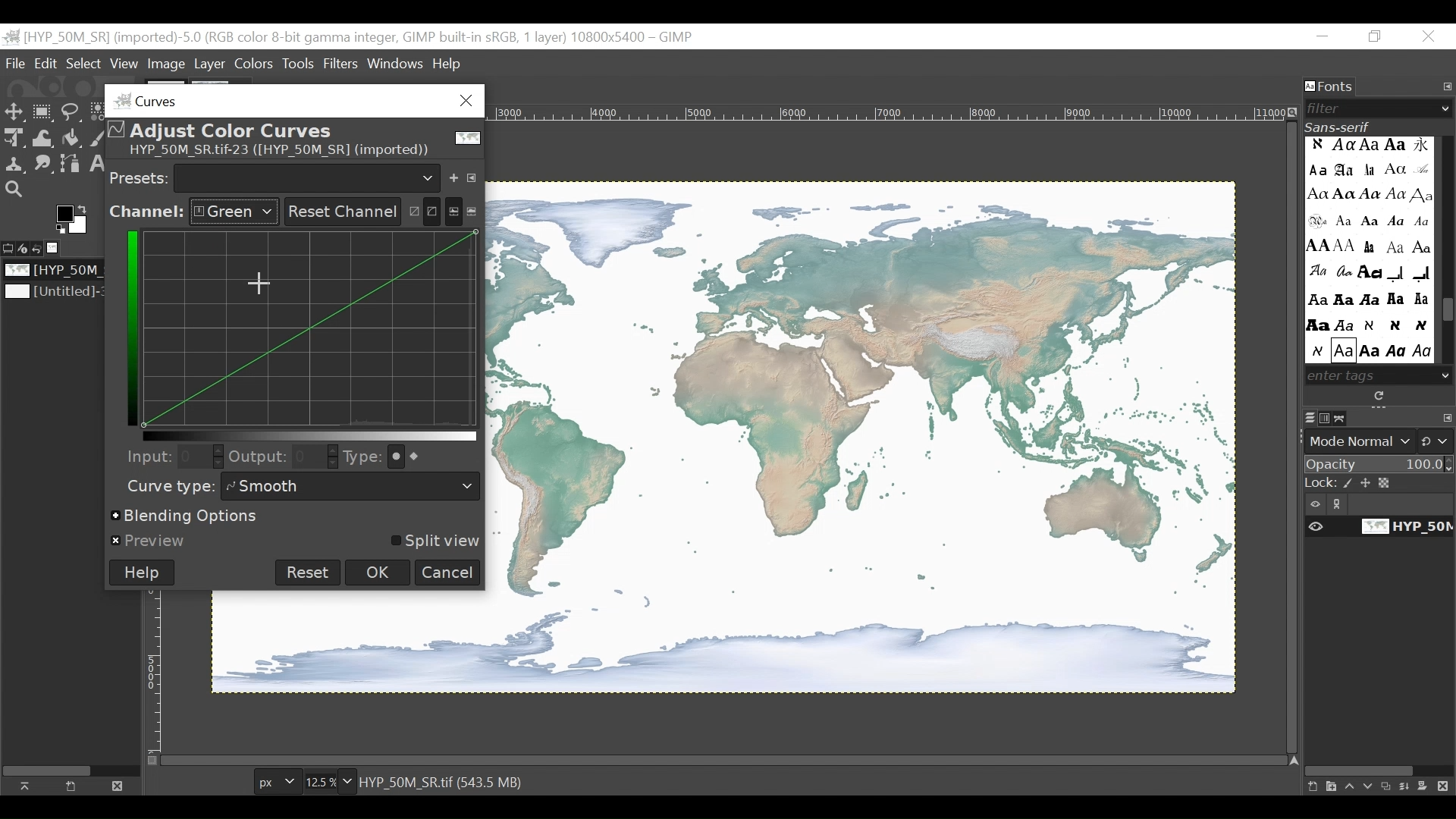  Describe the element at coordinates (448, 573) in the screenshot. I see `Cancel` at that location.